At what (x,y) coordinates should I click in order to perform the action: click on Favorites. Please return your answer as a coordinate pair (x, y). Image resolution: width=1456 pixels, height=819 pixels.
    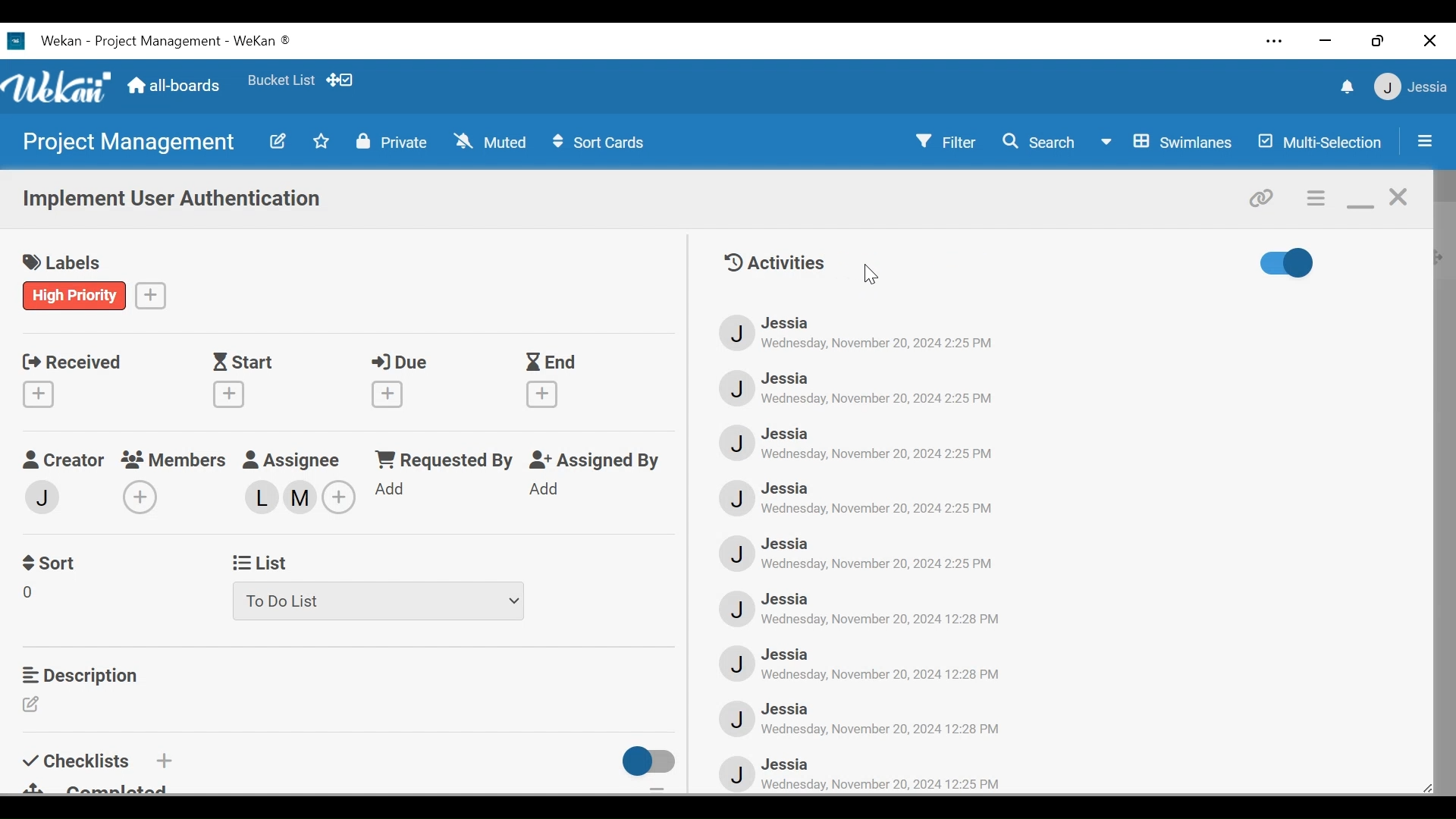
    Looking at the image, I should click on (281, 80).